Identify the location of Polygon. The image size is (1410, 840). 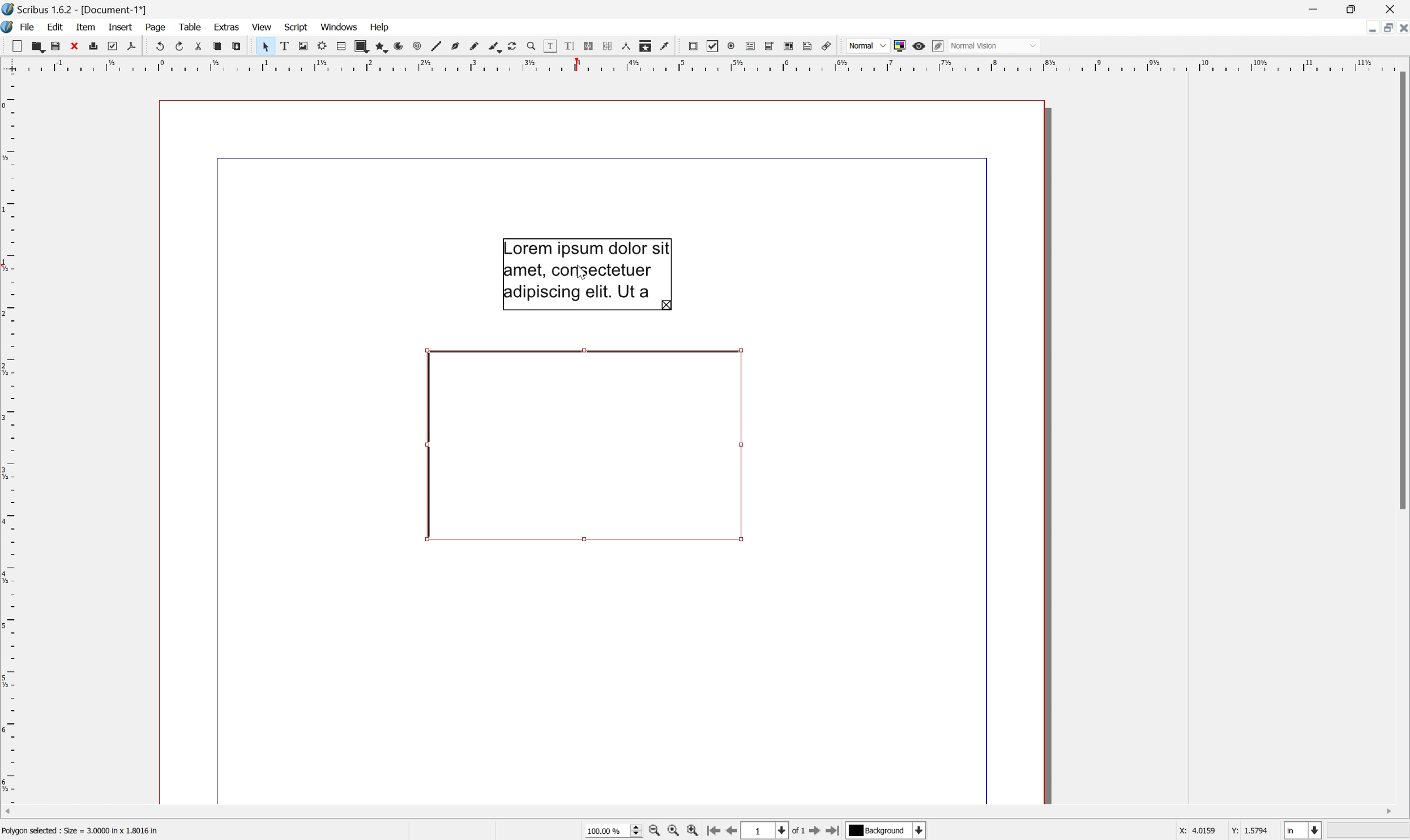
(380, 44).